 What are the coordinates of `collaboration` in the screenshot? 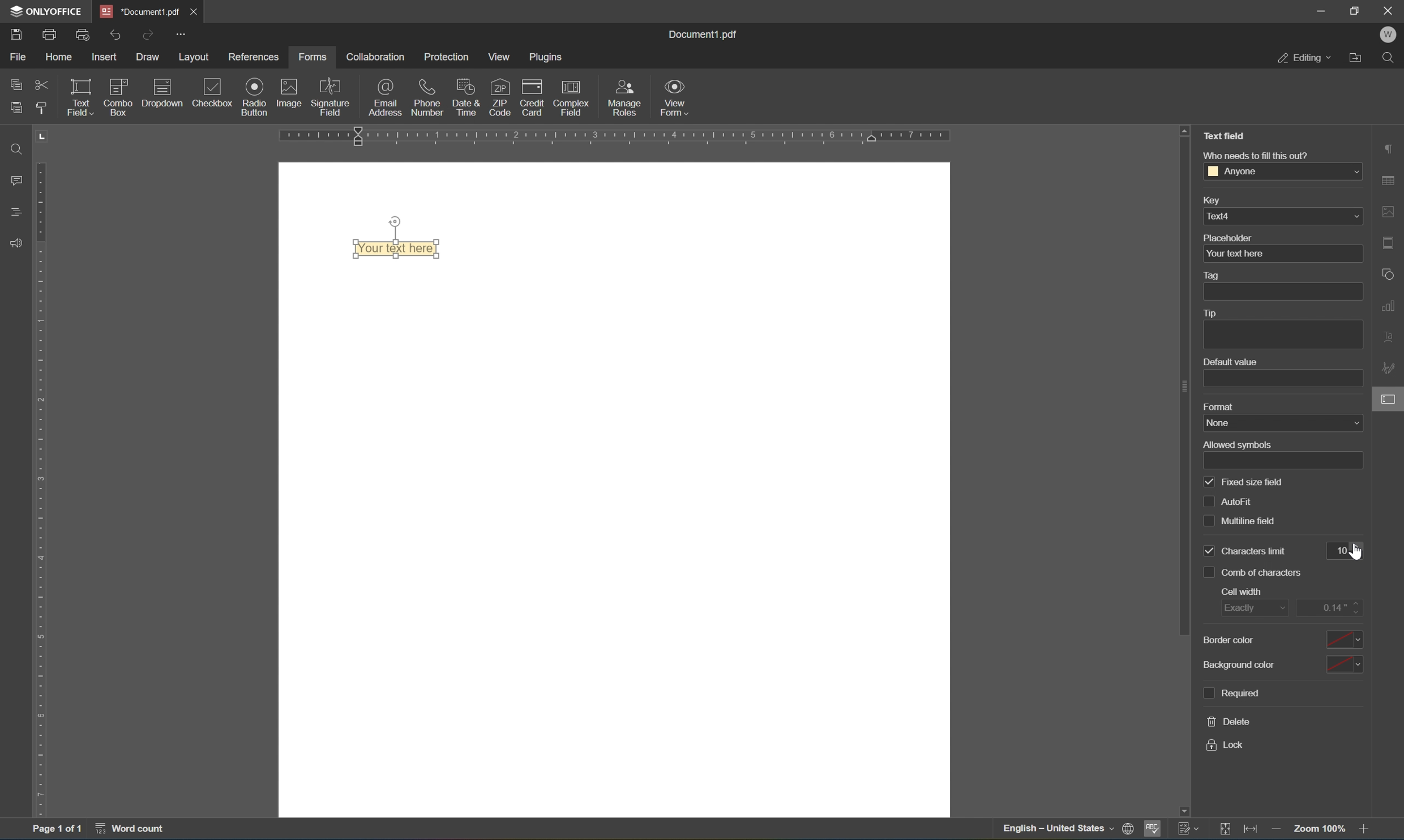 It's located at (377, 57).